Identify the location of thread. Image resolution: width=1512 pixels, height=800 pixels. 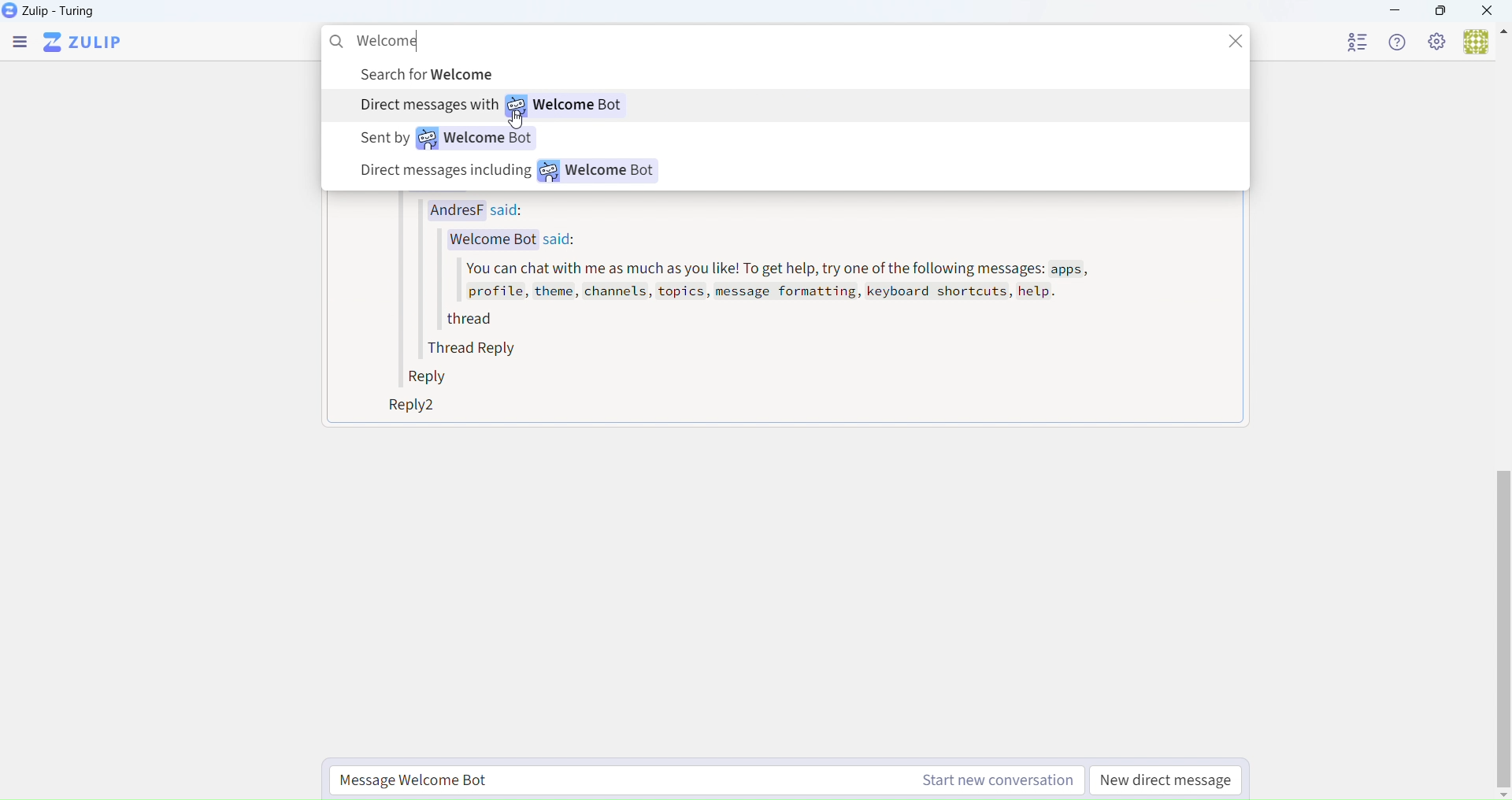
(466, 322).